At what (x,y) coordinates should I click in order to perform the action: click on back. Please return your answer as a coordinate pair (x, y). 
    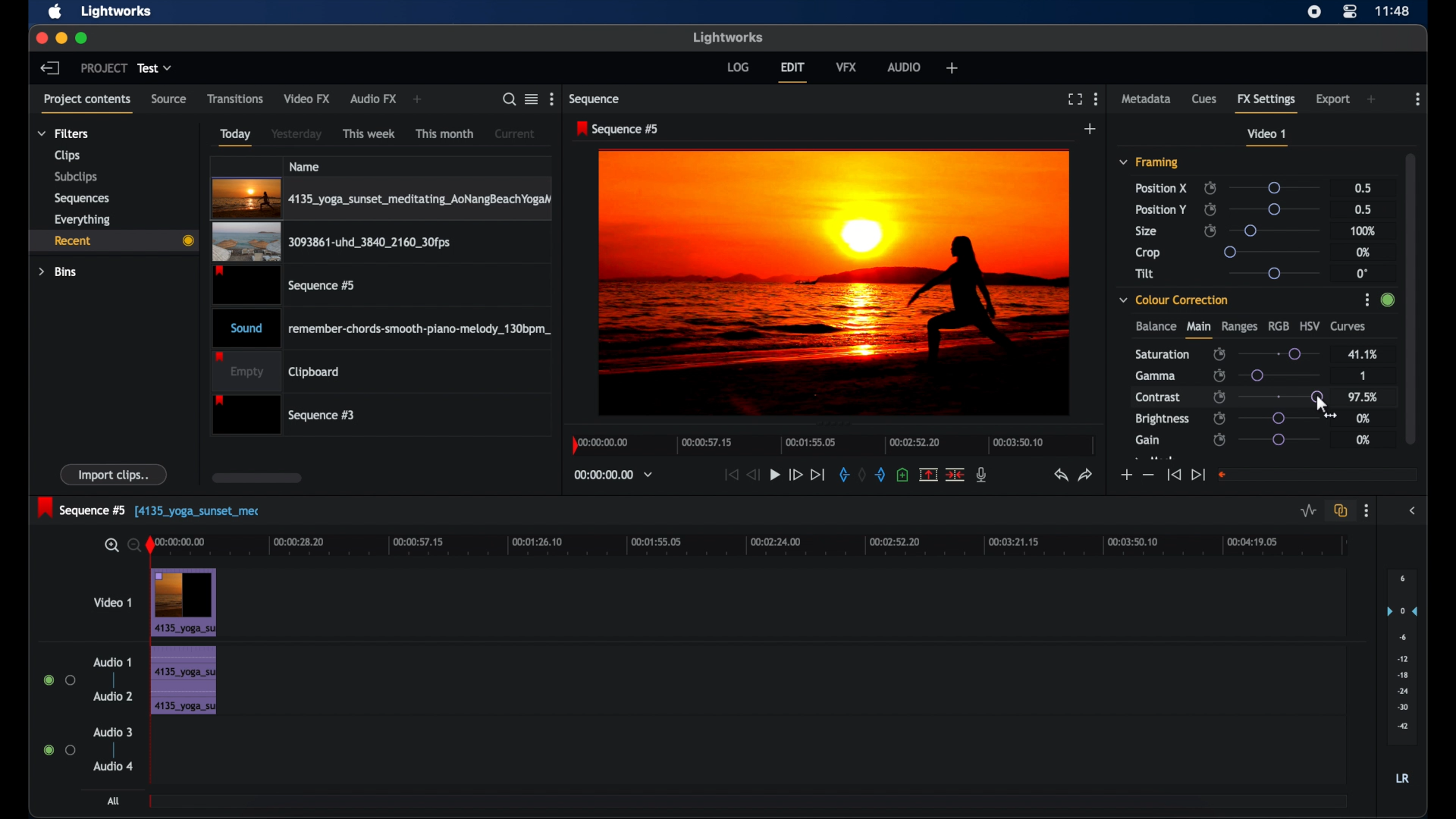
    Looking at the image, I should click on (50, 67).